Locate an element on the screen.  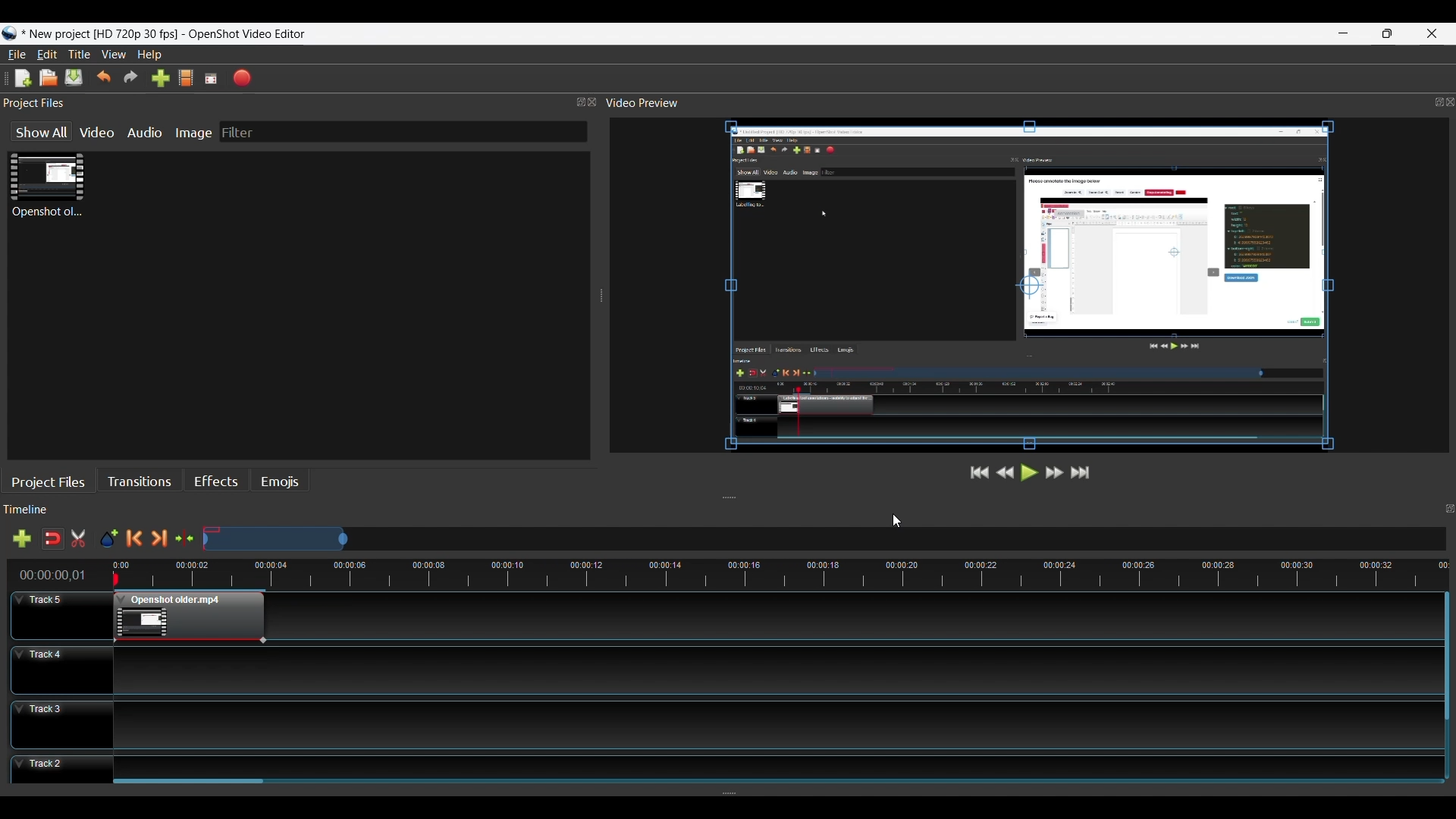
Export Video is located at coordinates (243, 78).